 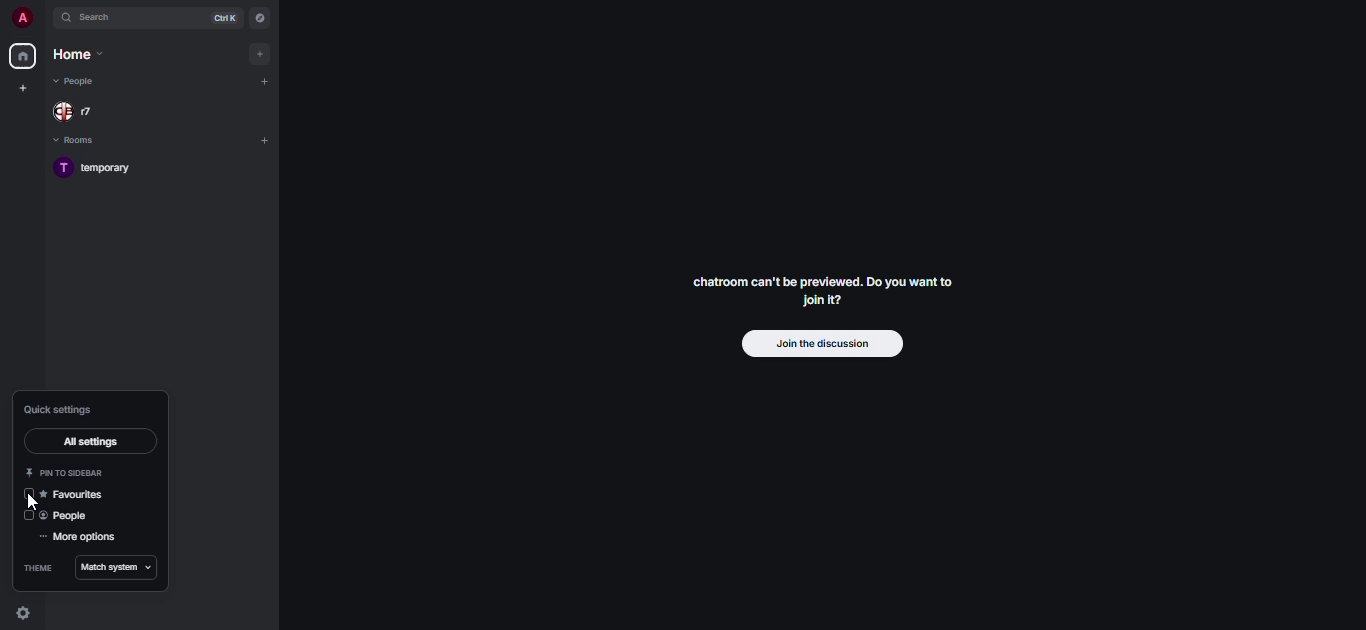 I want to click on rooms, so click(x=85, y=140).